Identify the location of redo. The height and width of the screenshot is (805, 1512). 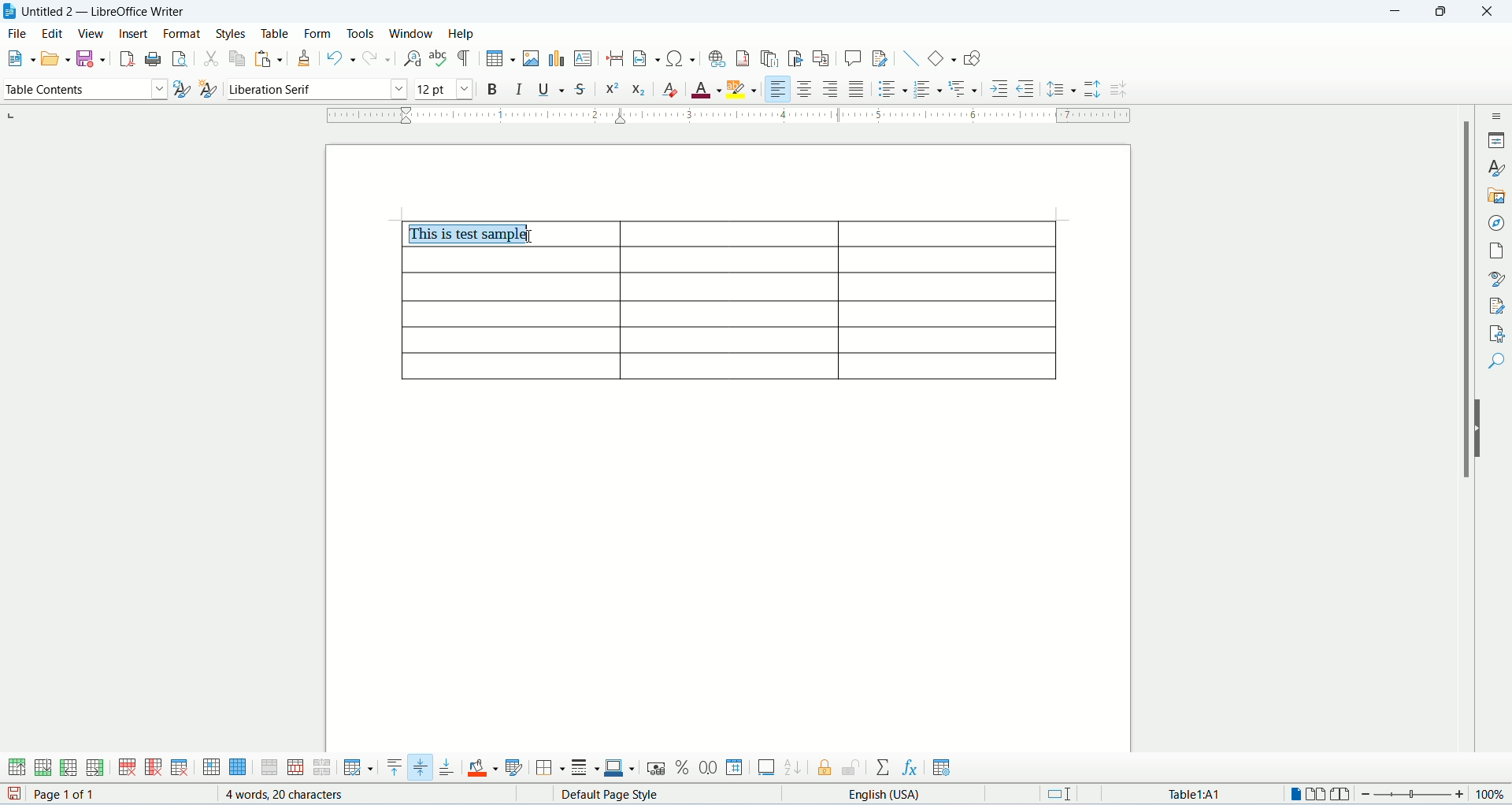
(378, 57).